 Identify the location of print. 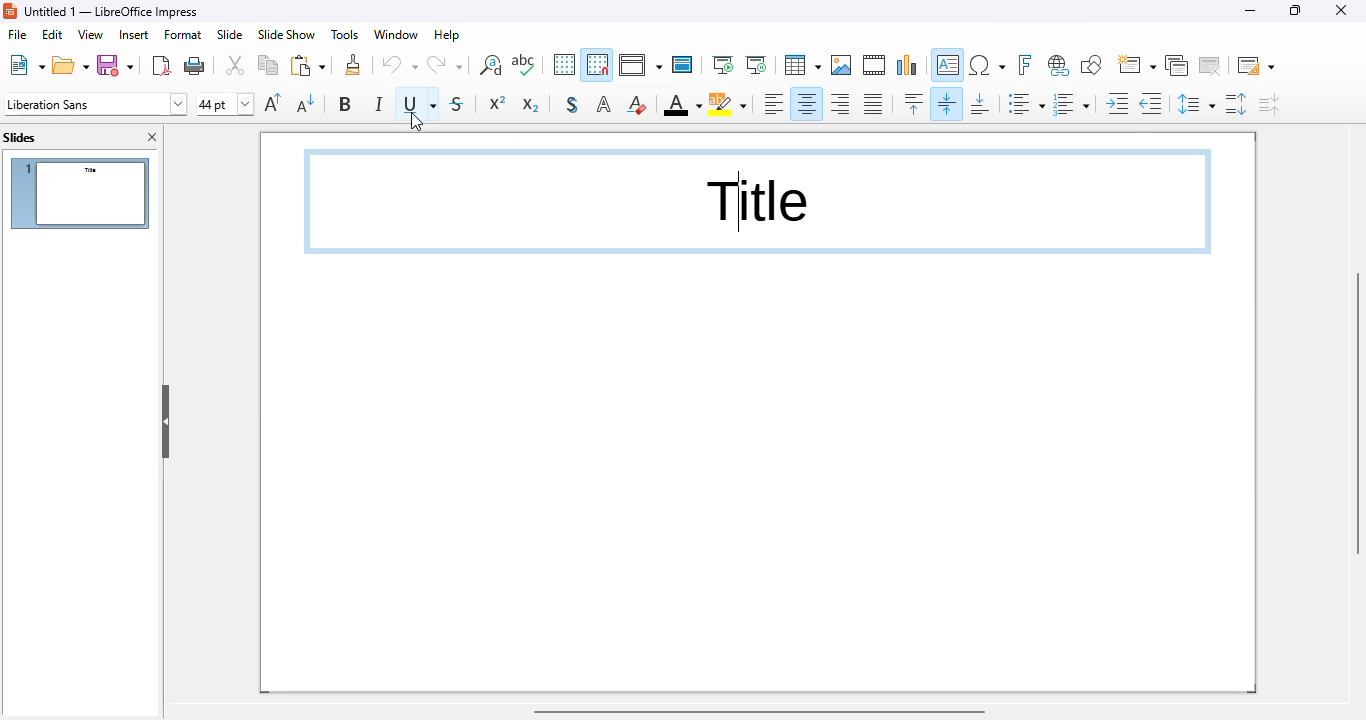
(196, 65).